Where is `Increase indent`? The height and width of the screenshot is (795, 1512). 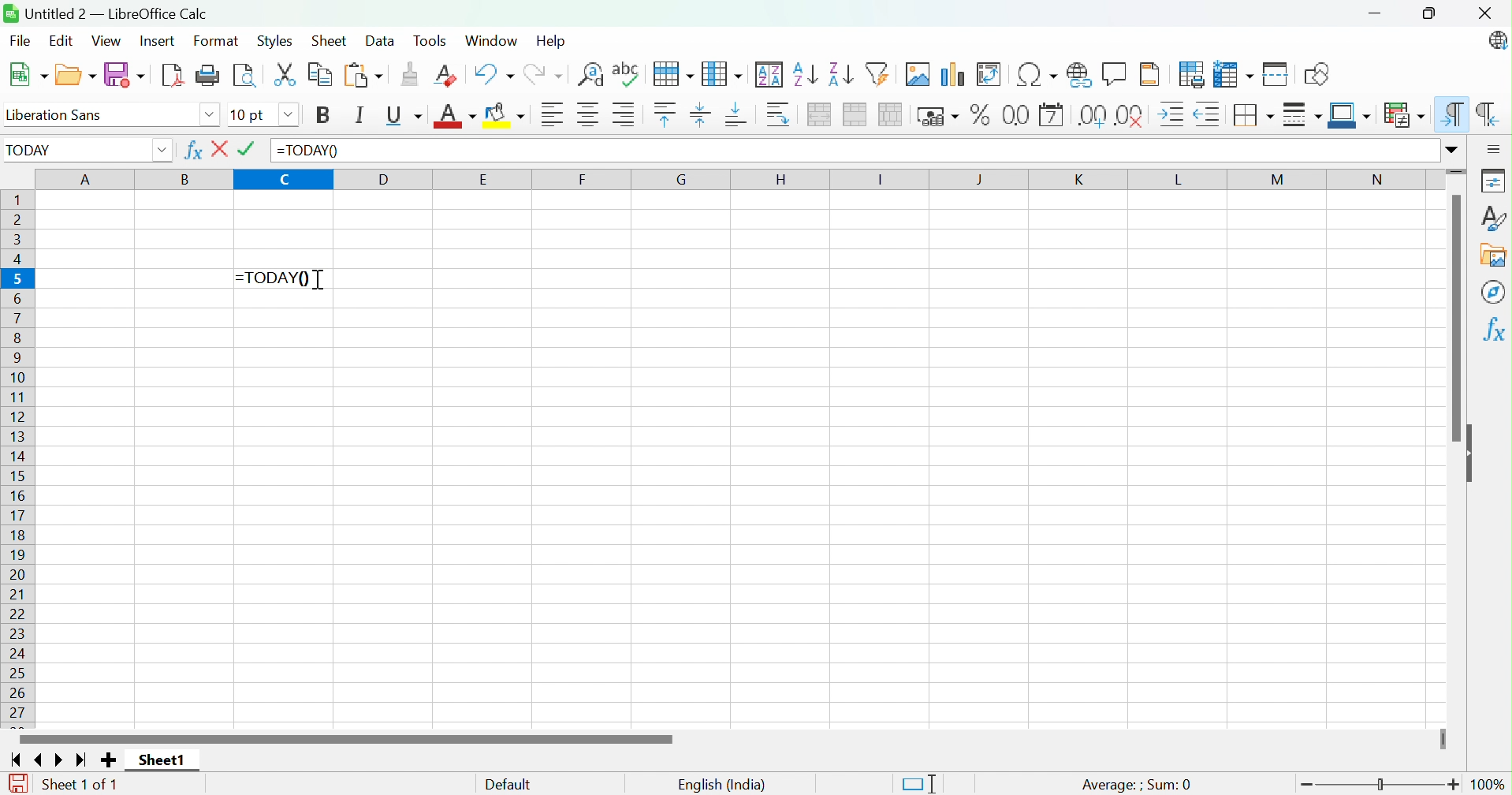
Increase indent is located at coordinates (1174, 114).